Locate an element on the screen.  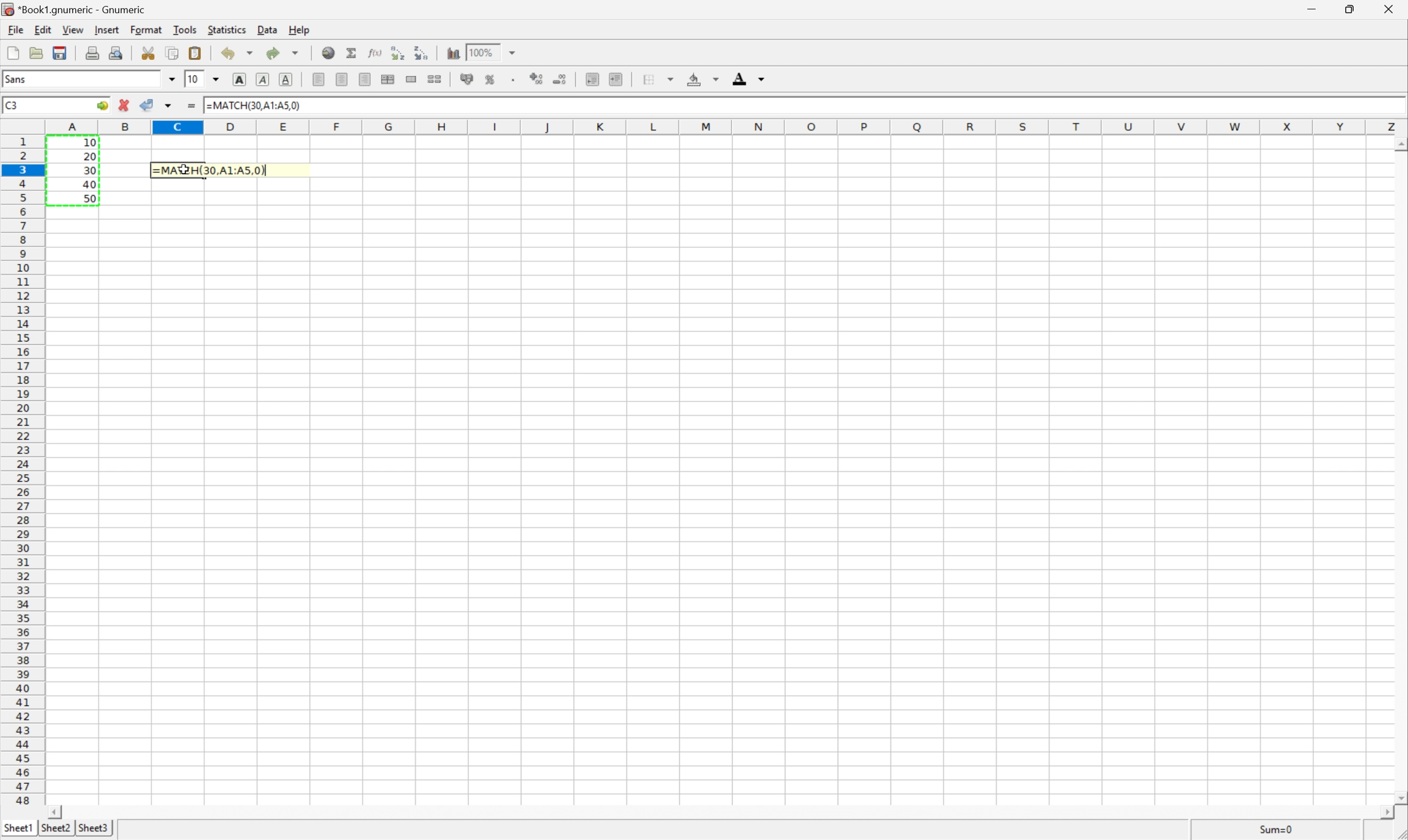
Print the current file is located at coordinates (92, 53).